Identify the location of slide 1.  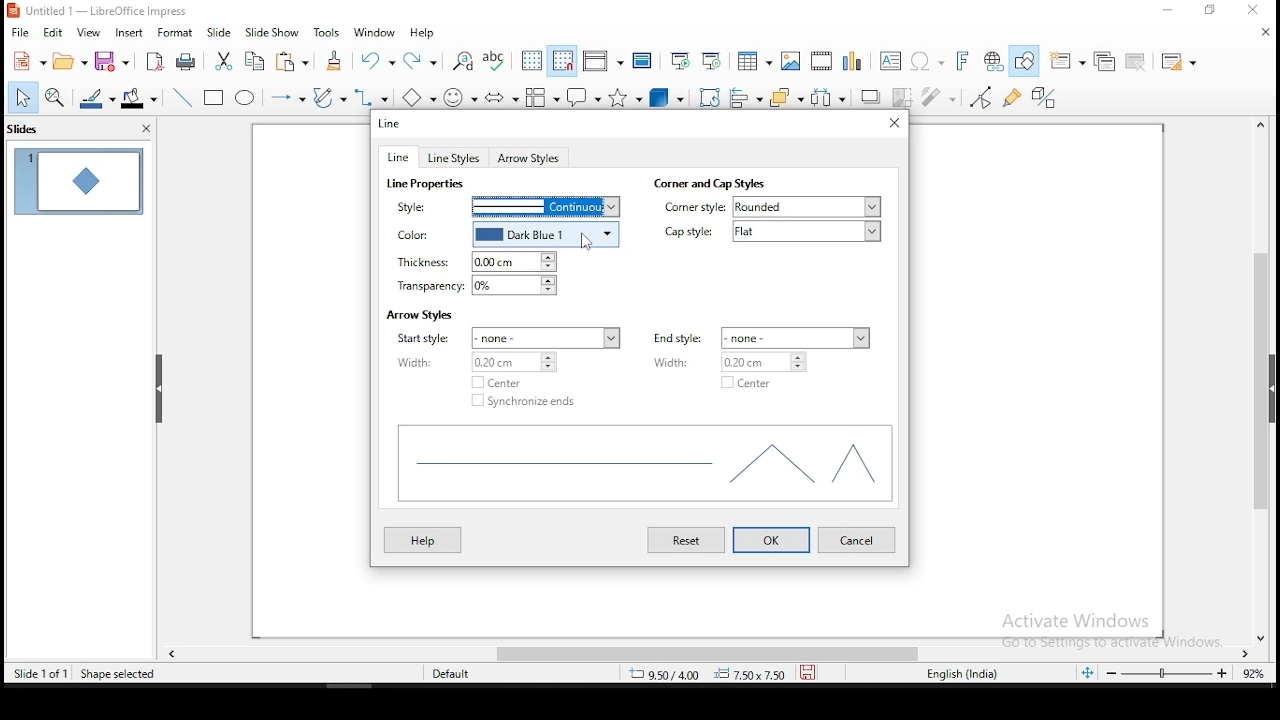
(76, 180).